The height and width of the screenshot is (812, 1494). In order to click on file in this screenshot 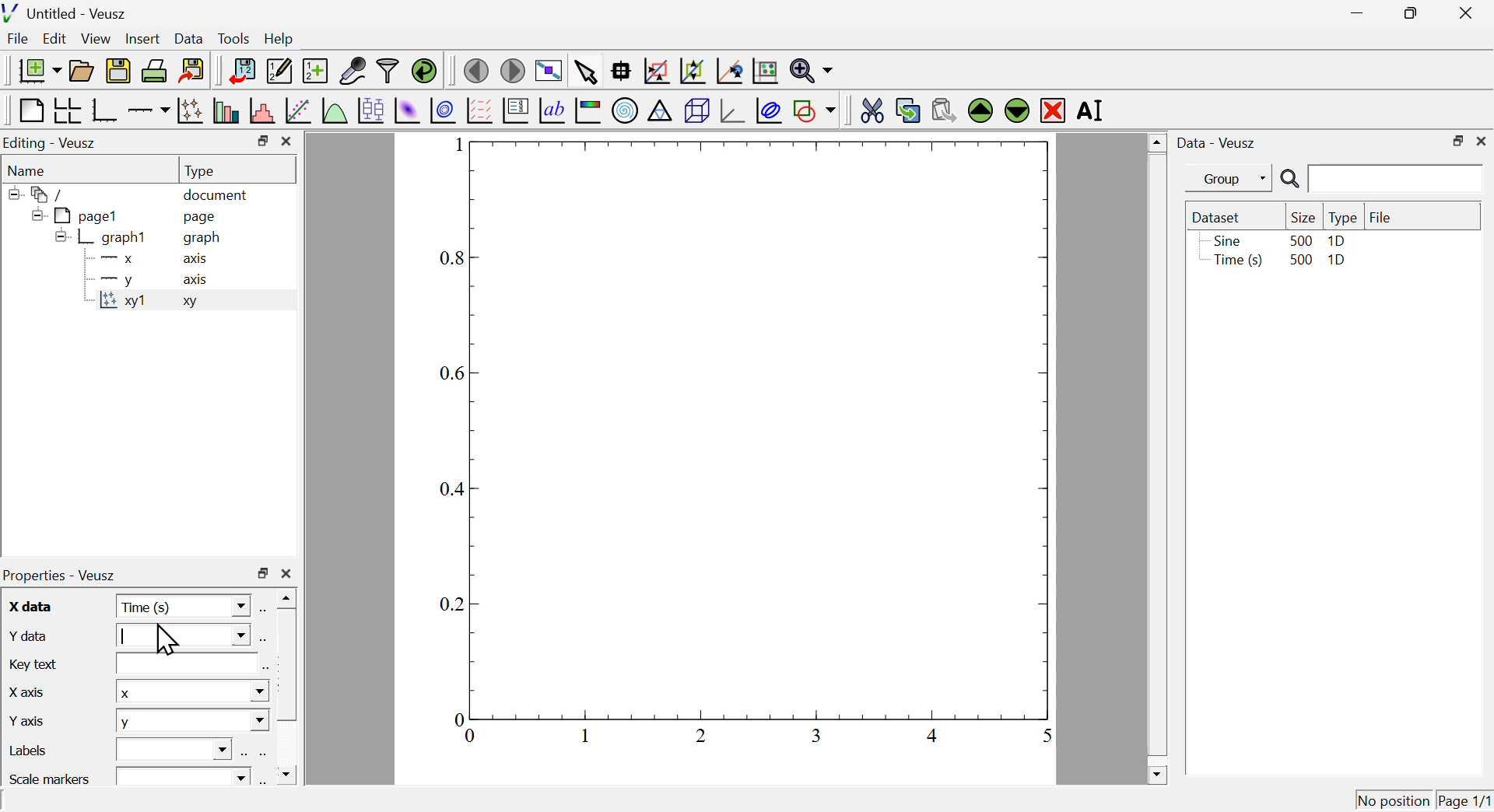, I will do `click(1381, 215)`.